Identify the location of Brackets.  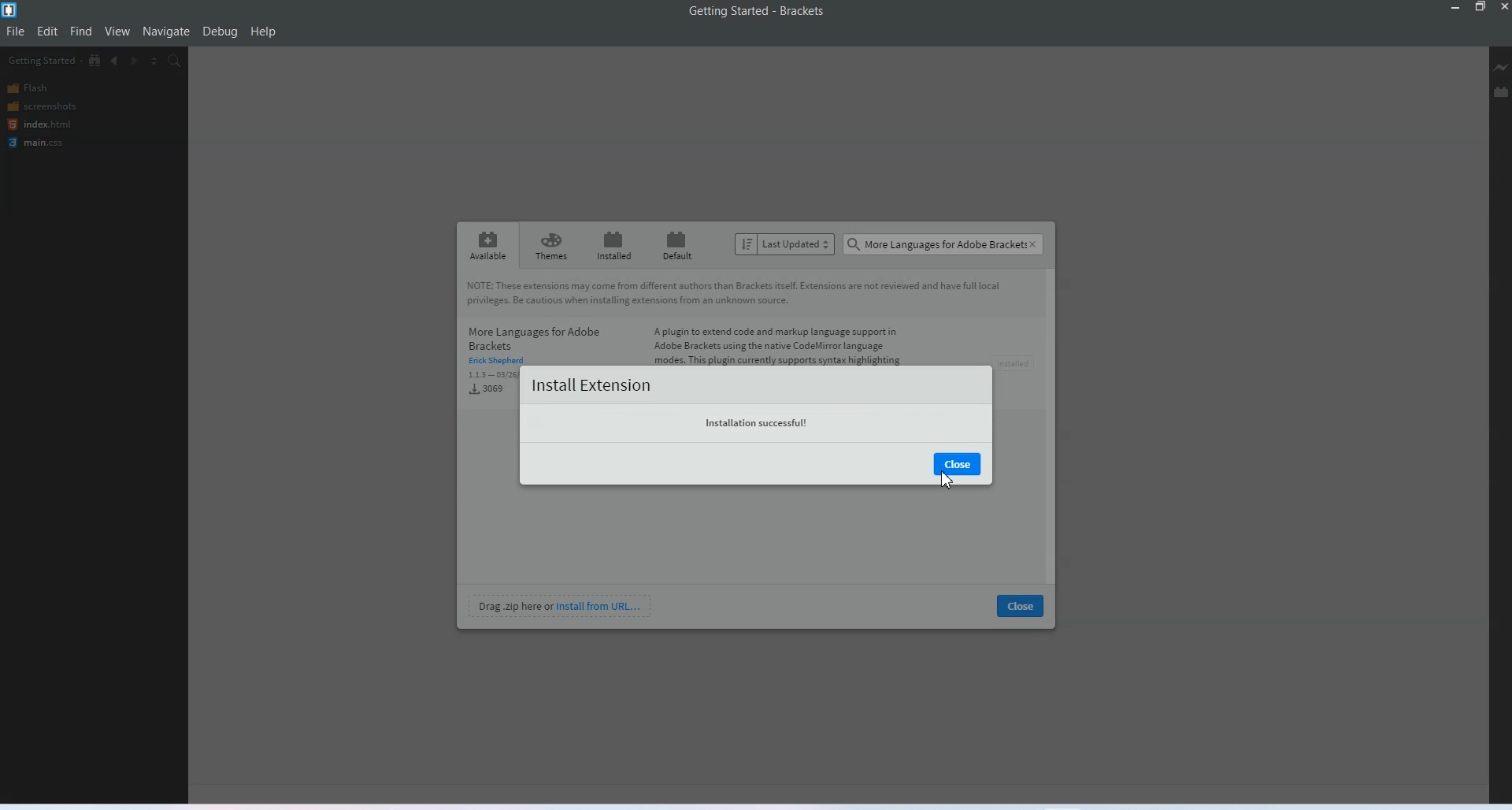
(802, 10).